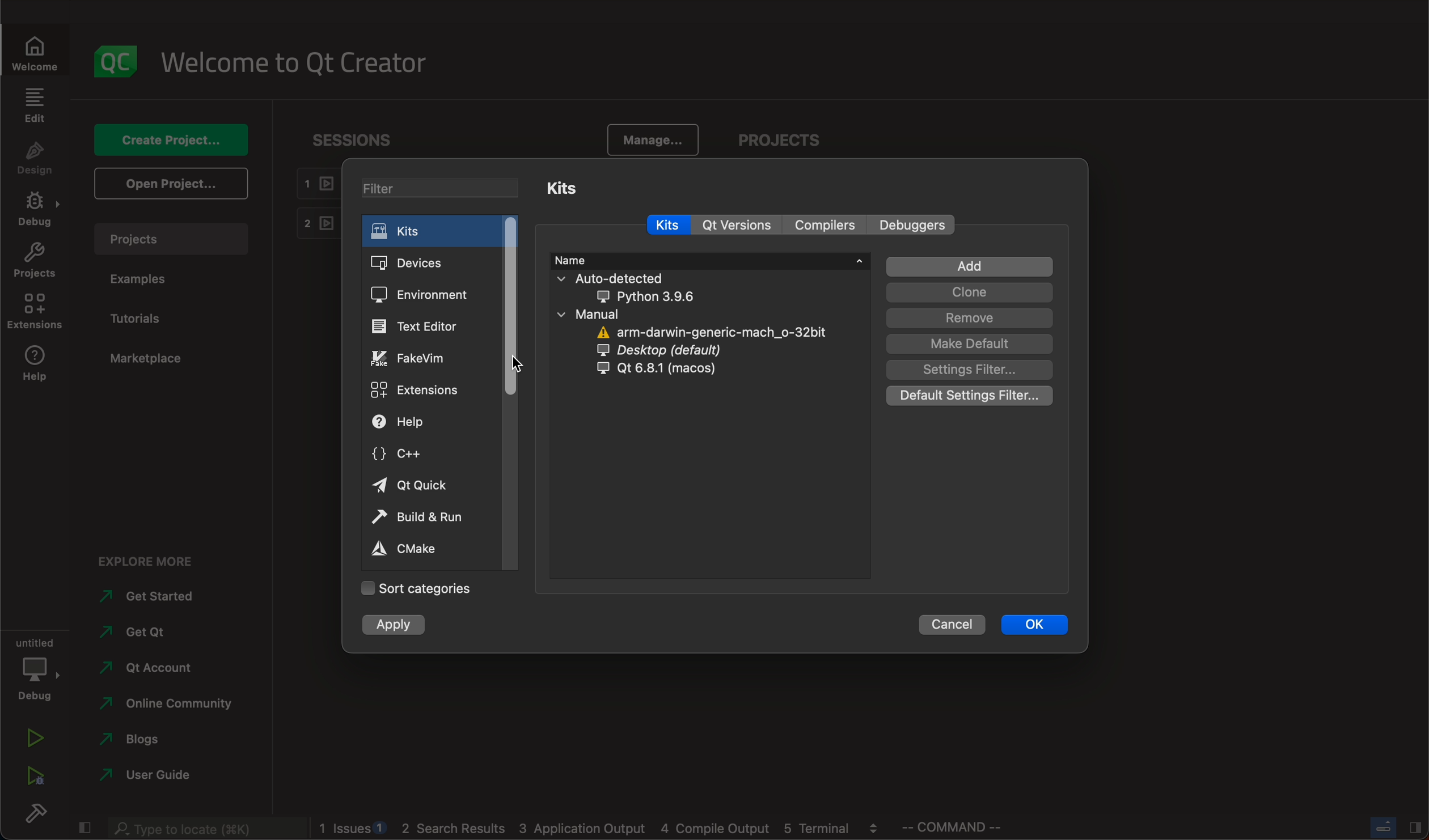  What do you see at coordinates (422, 263) in the screenshot?
I see `devices` at bounding box center [422, 263].